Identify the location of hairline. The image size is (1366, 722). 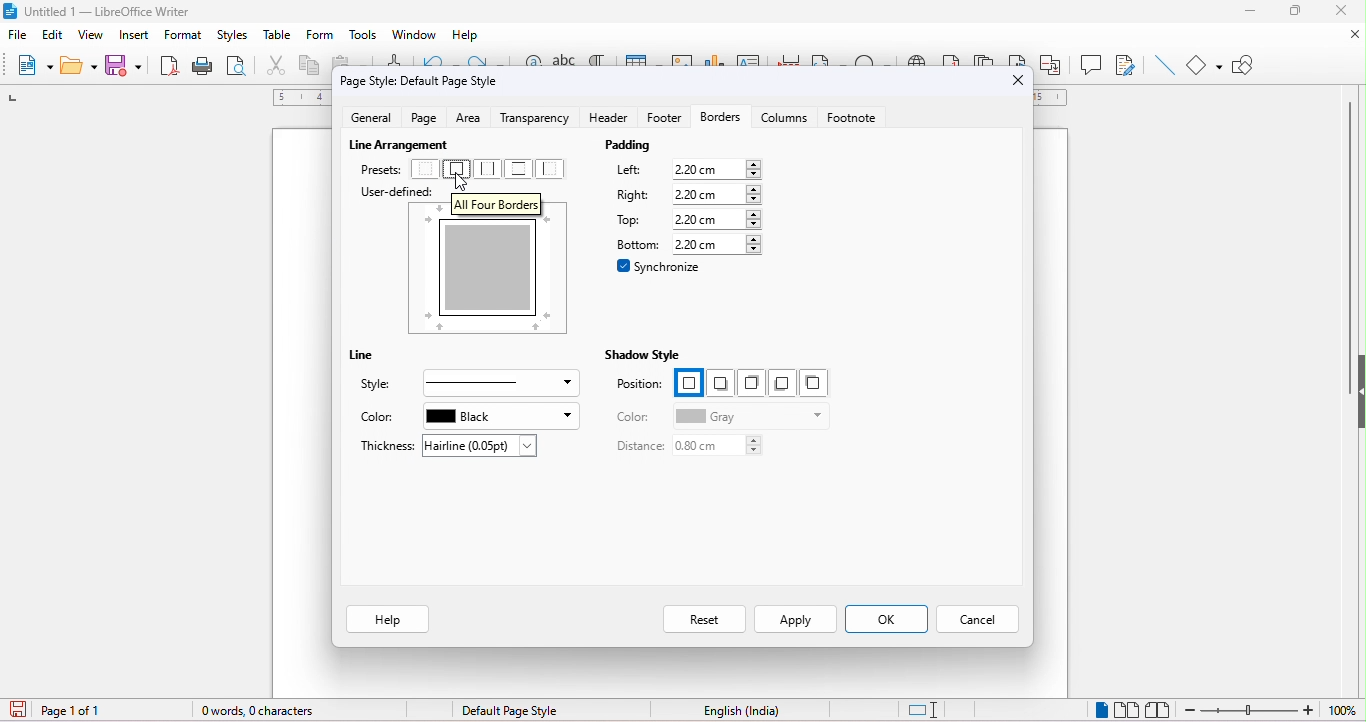
(480, 445).